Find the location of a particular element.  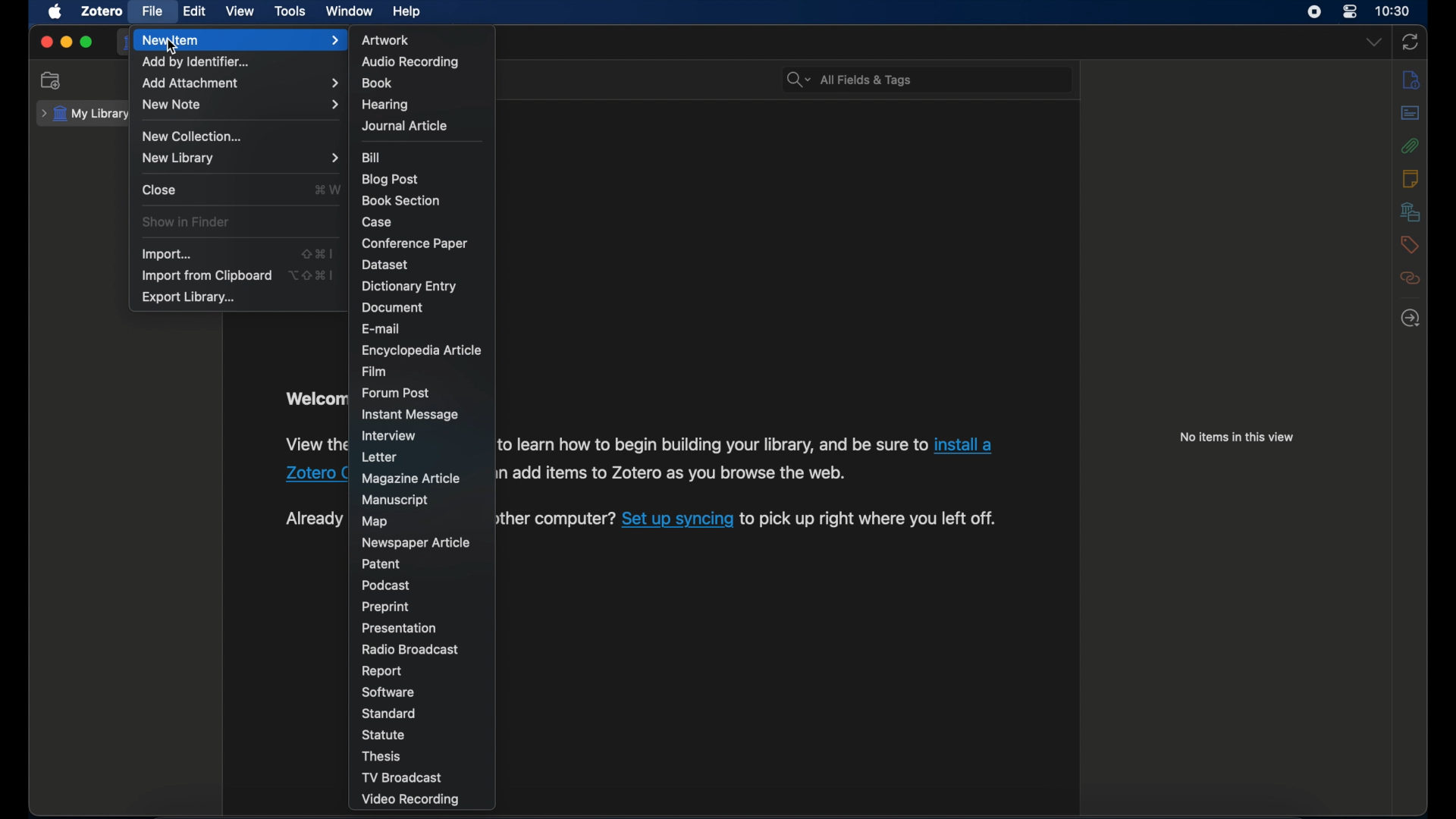

manuscript is located at coordinates (396, 500).